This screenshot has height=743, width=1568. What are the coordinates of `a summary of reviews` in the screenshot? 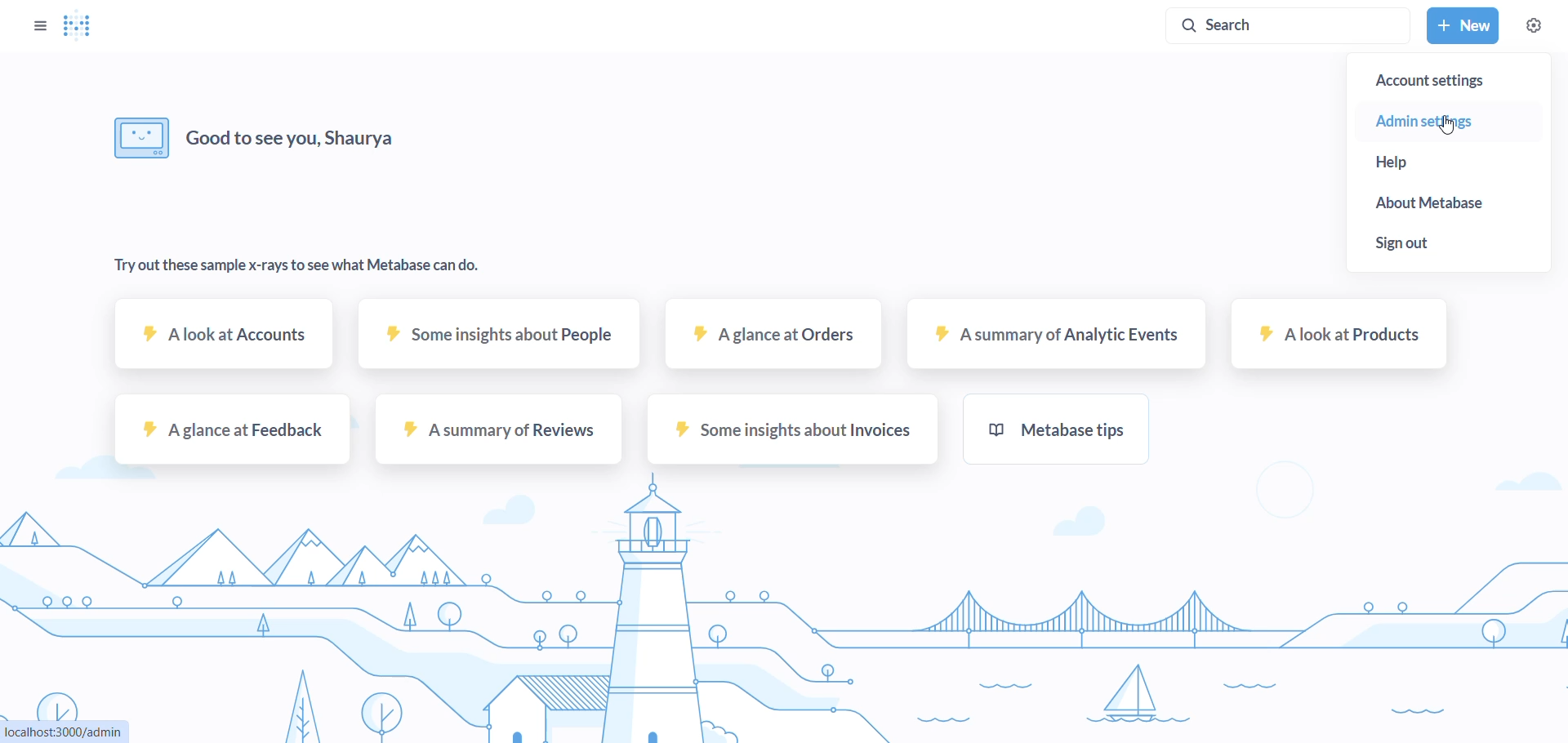 It's located at (497, 434).